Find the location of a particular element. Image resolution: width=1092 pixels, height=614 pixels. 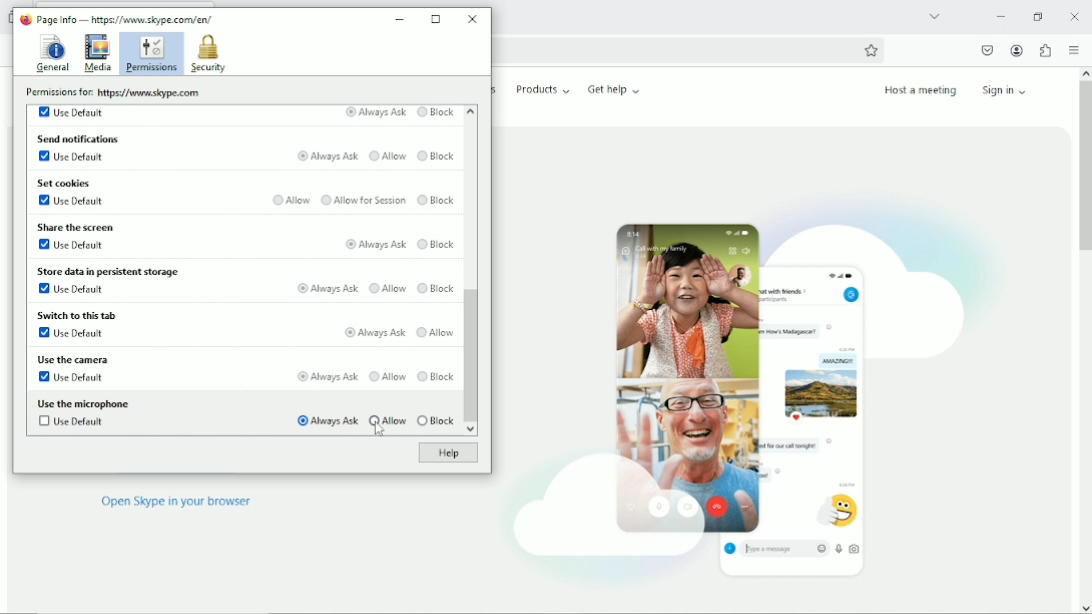

Allow is located at coordinates (386, 375).